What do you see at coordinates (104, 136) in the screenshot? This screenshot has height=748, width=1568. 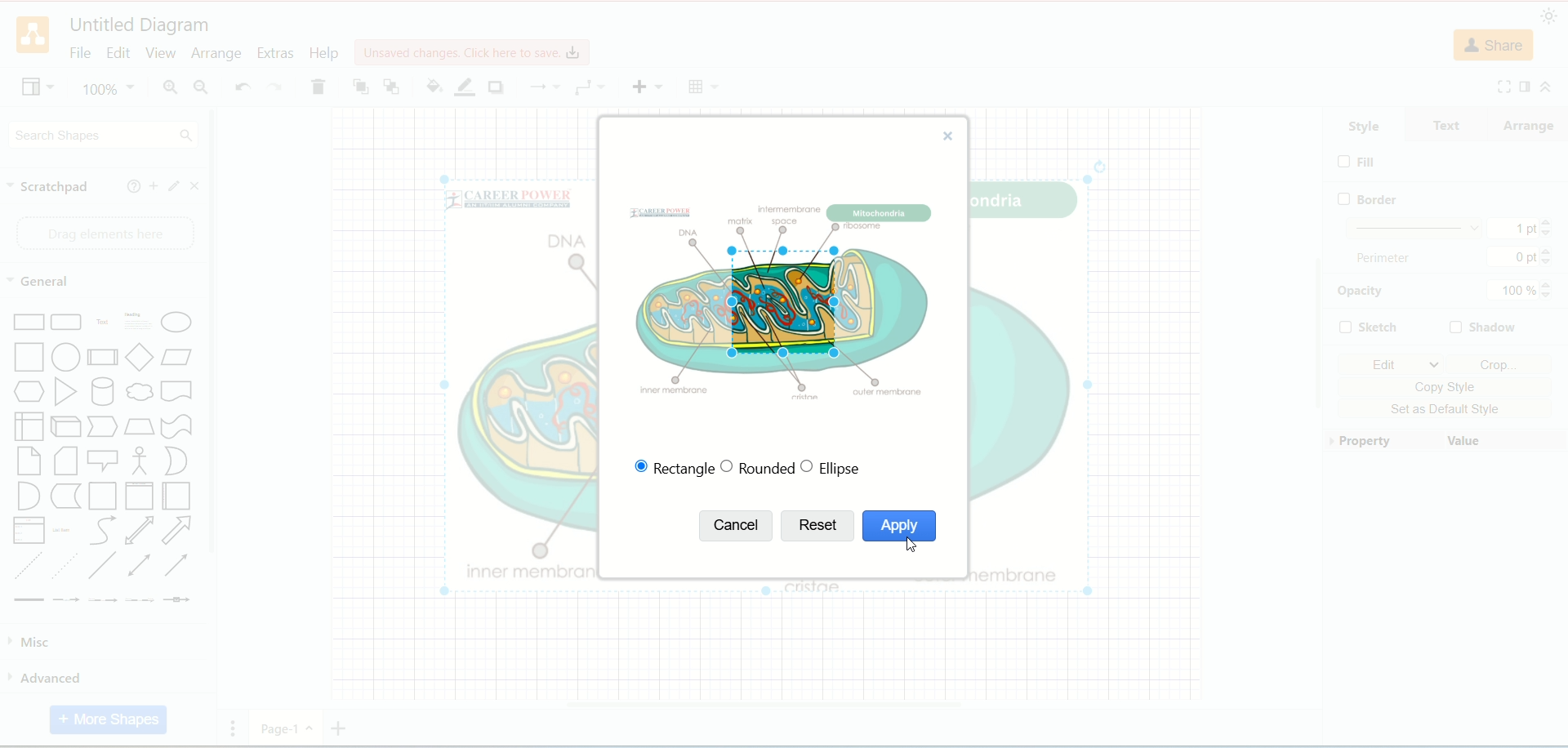 I see `search shapes` at bounding box center [104, 136].